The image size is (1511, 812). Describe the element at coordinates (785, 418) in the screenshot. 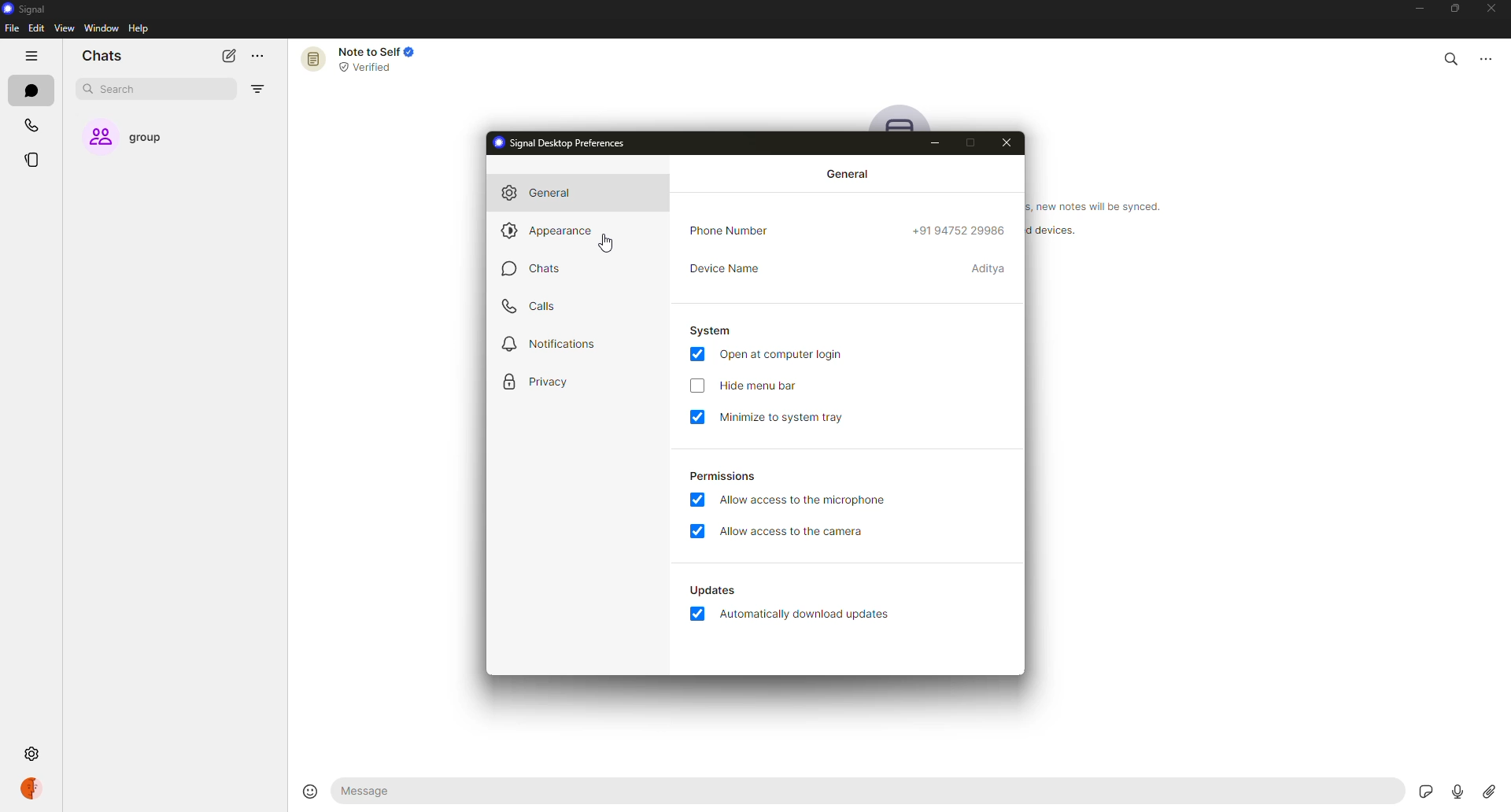

I see `minimize` at that location.